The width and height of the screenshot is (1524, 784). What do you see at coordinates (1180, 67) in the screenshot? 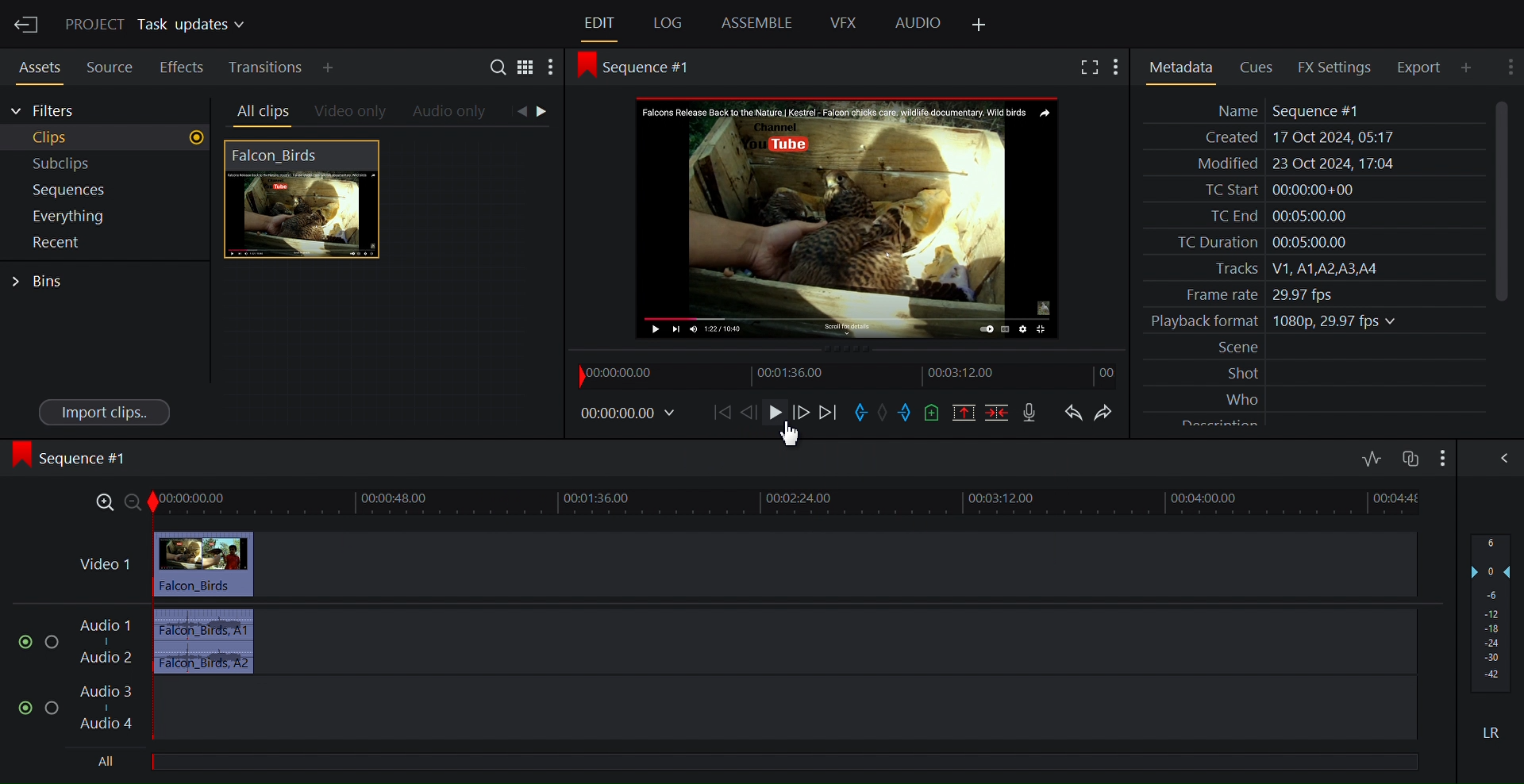
I see `Metadata Panel` at bounding box center [1180, 67].